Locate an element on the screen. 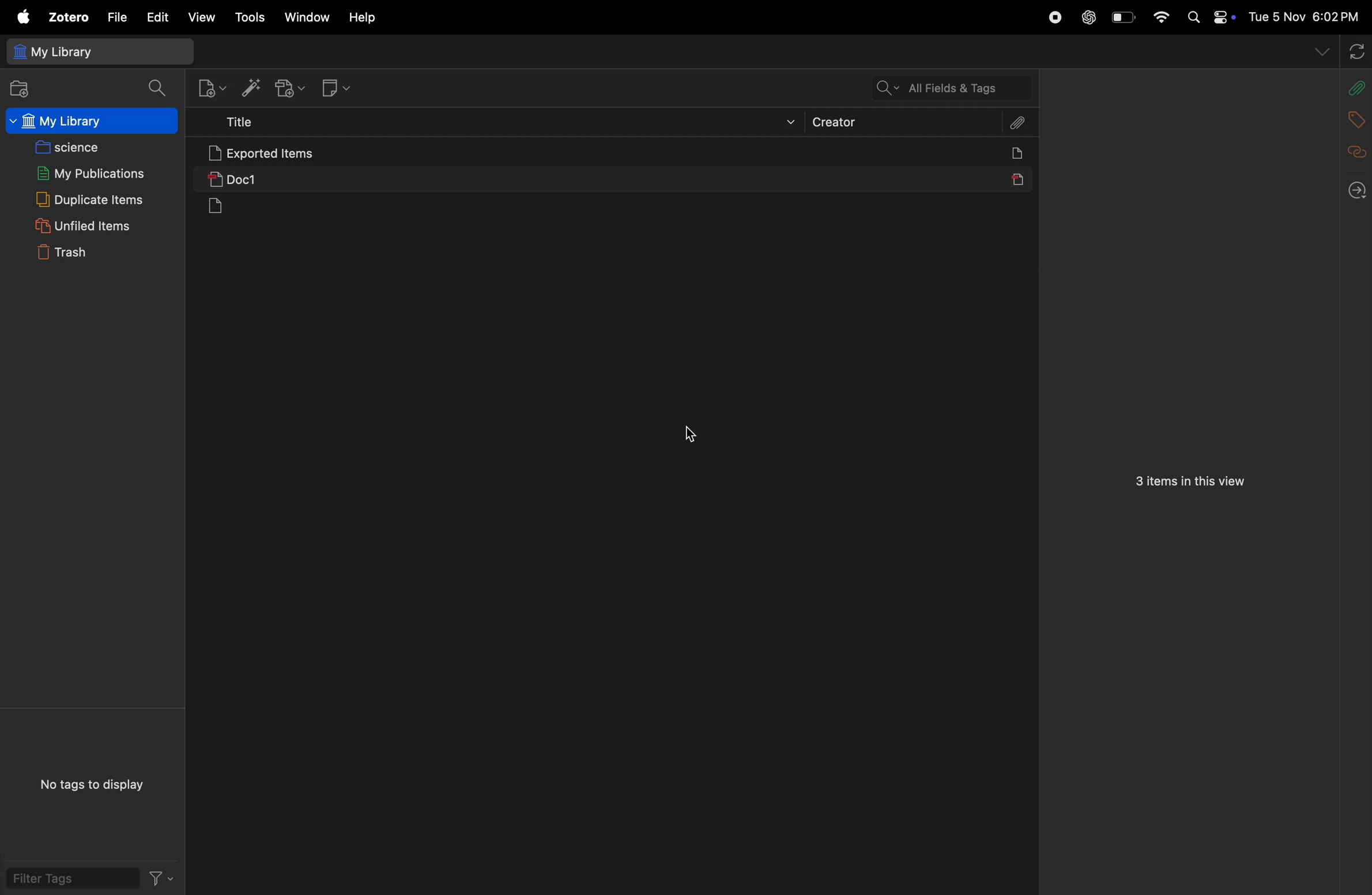 The image size is (1372, 895). new note is located at coordinates (341, 87).